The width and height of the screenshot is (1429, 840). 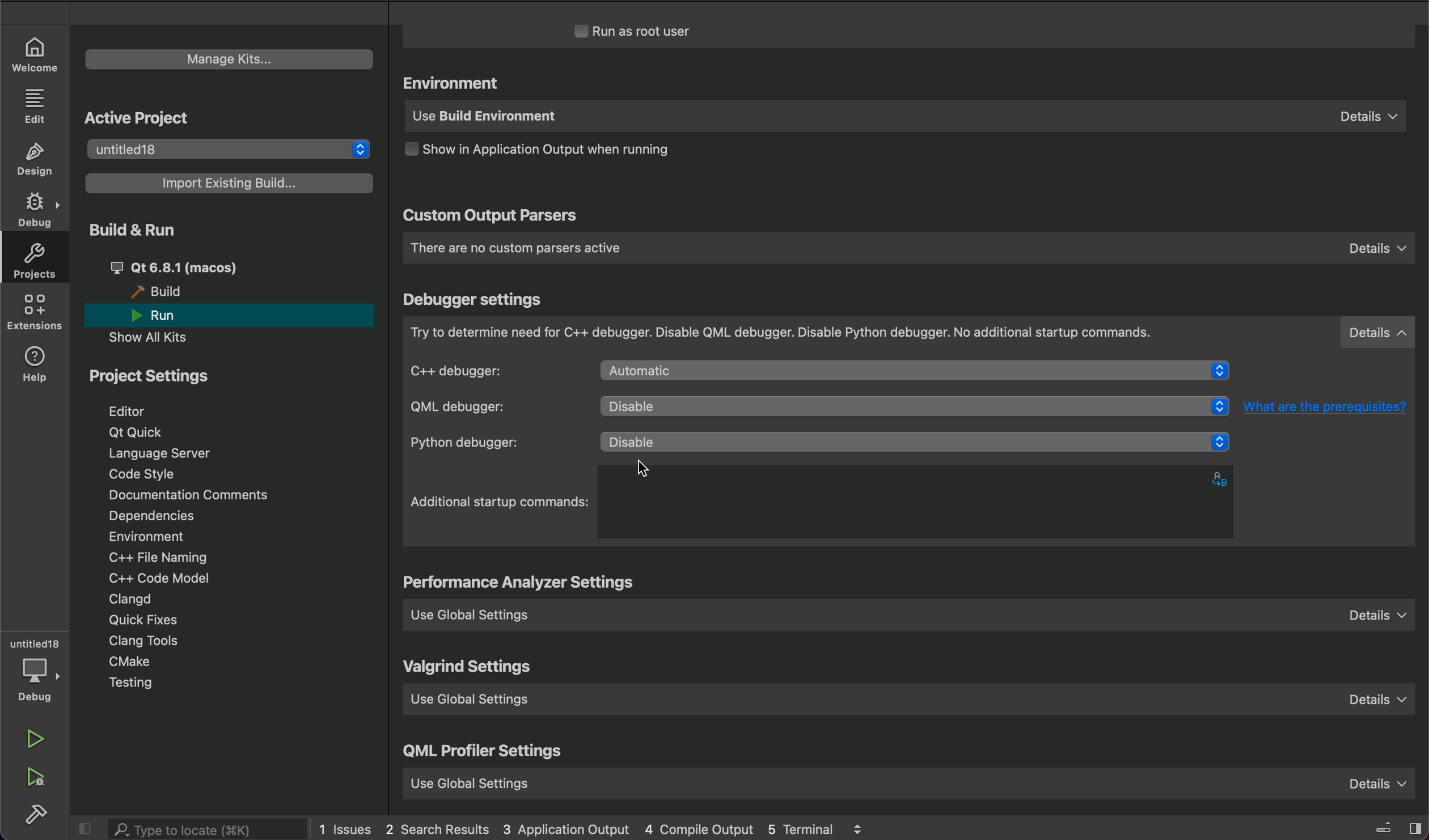 I want to click on code model, so click(x=153, y=578).